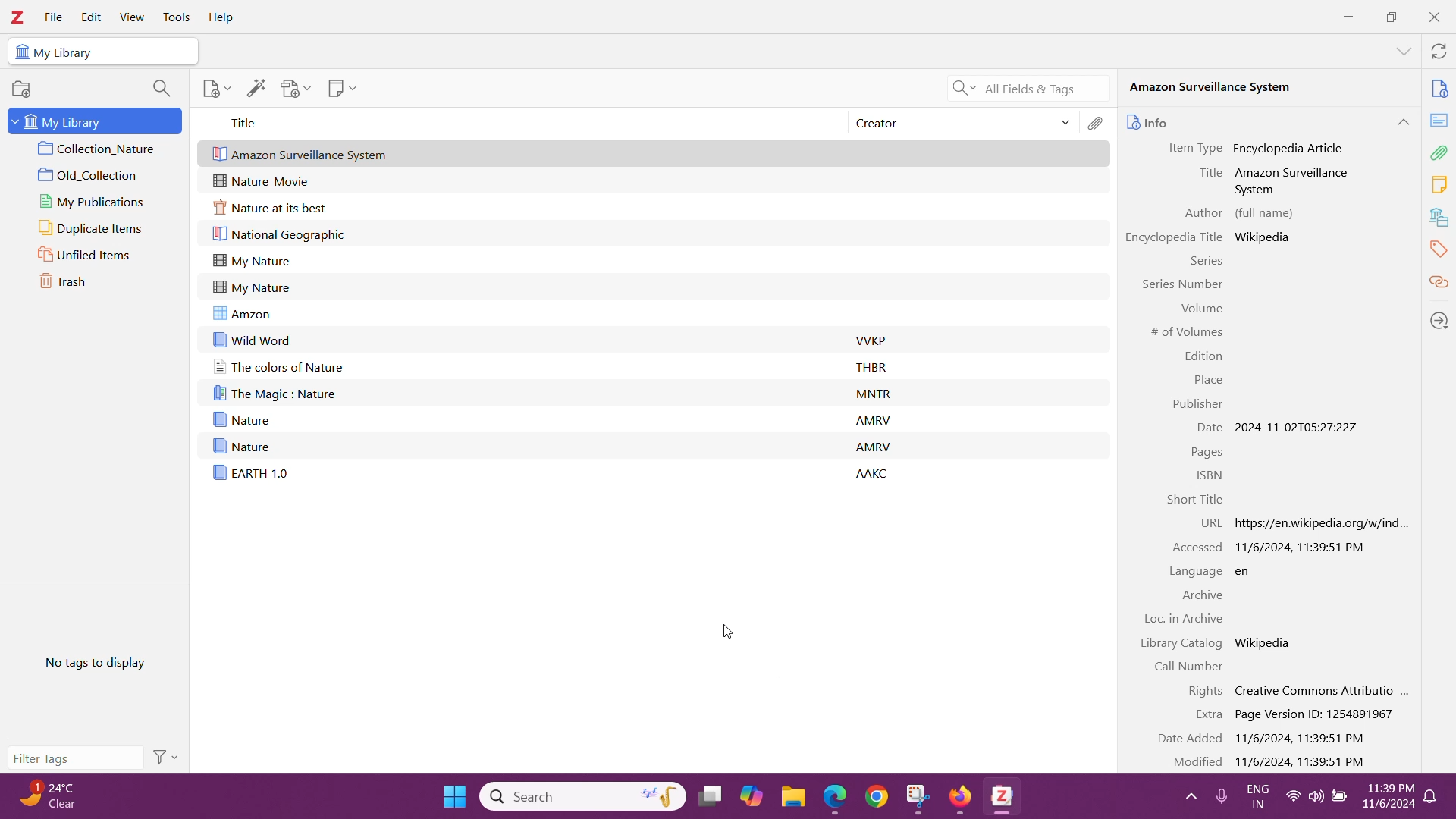 The width and height of the screenshot is (1456, 819). Describe the element at coordinates (1206, 524) in the screenshot. I see `URL` at that location.